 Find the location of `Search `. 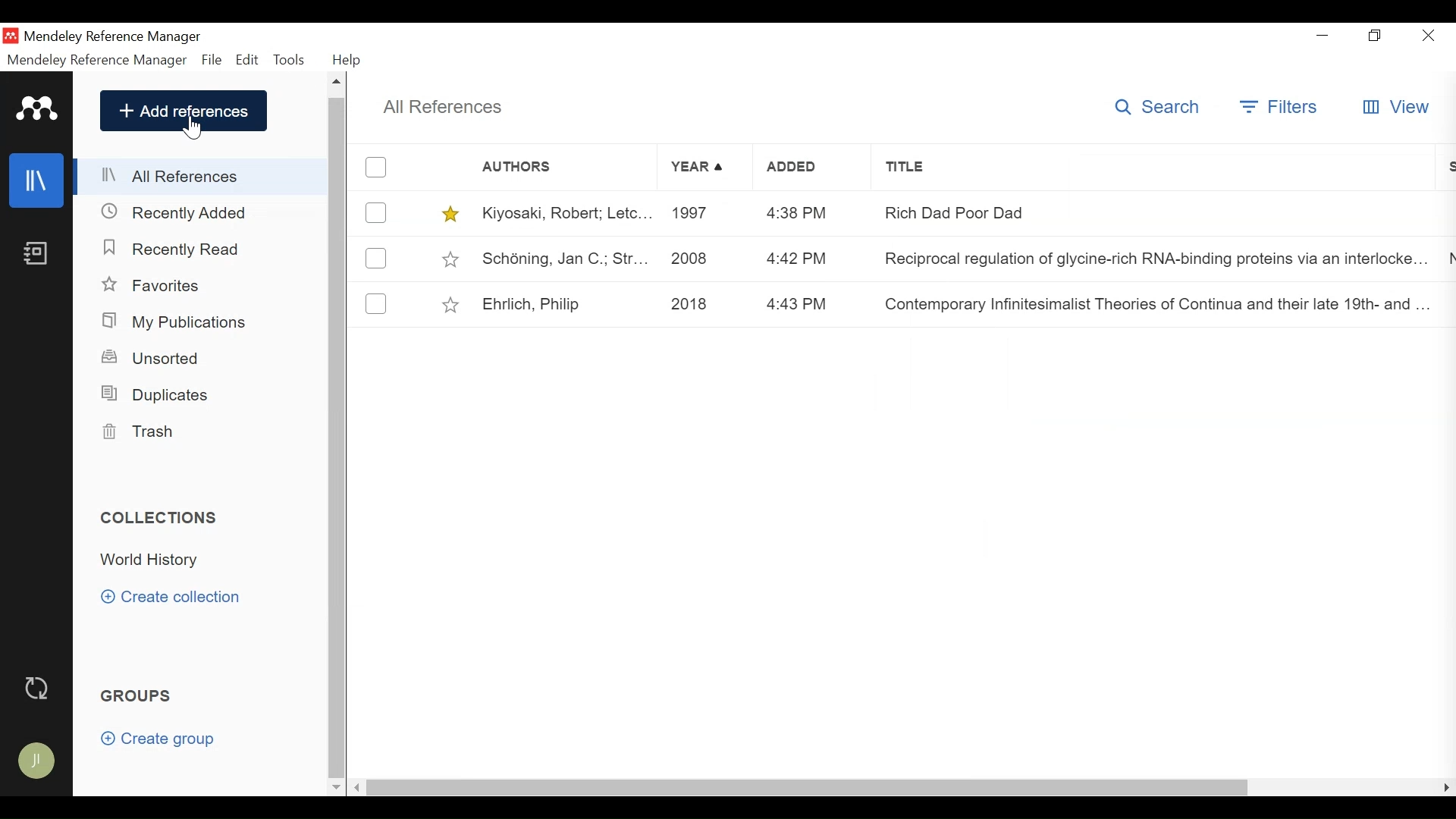

Search  is located at coordinates (1159, 107).